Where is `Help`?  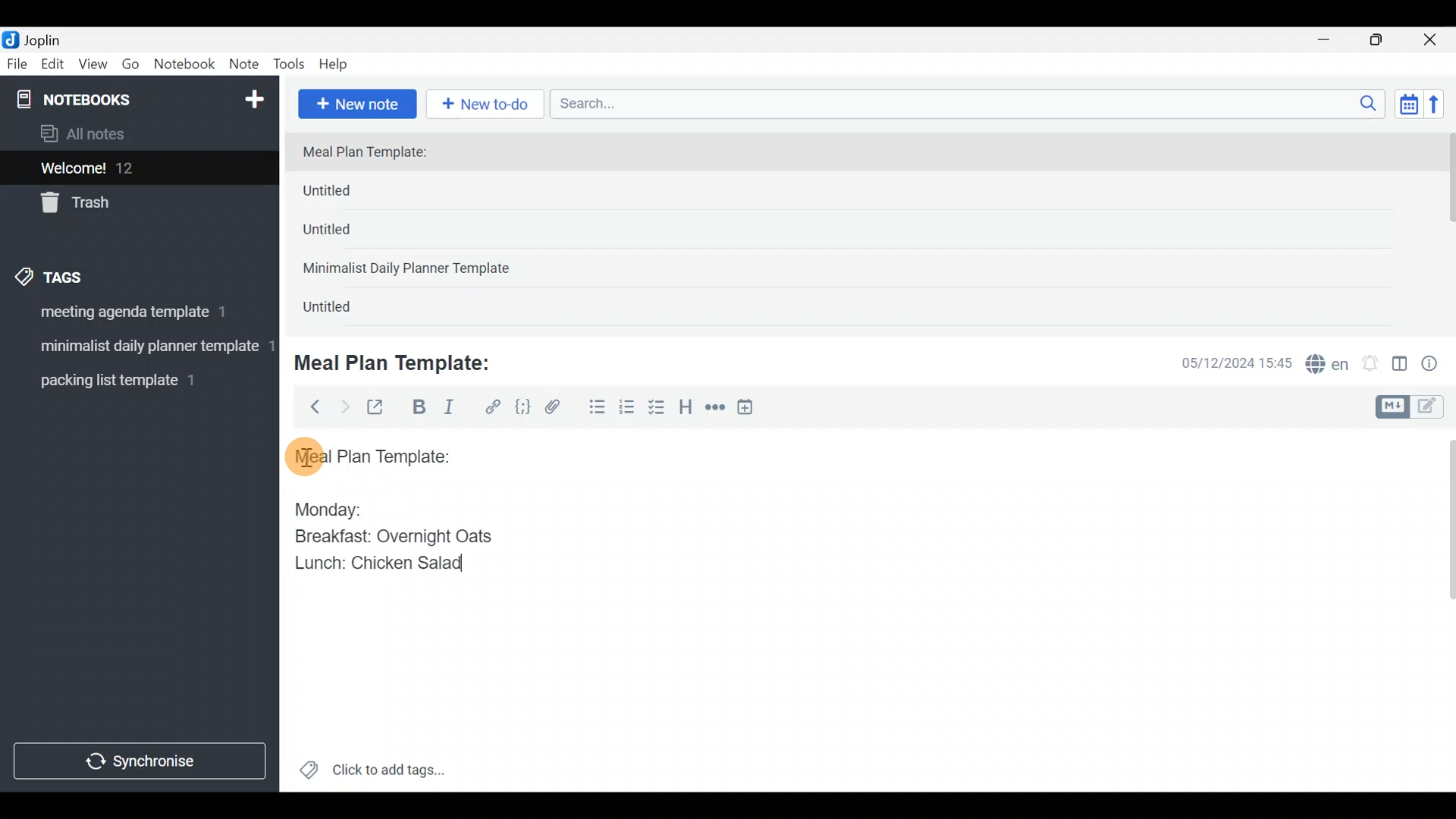 Help is located at coordinates (339, 61).